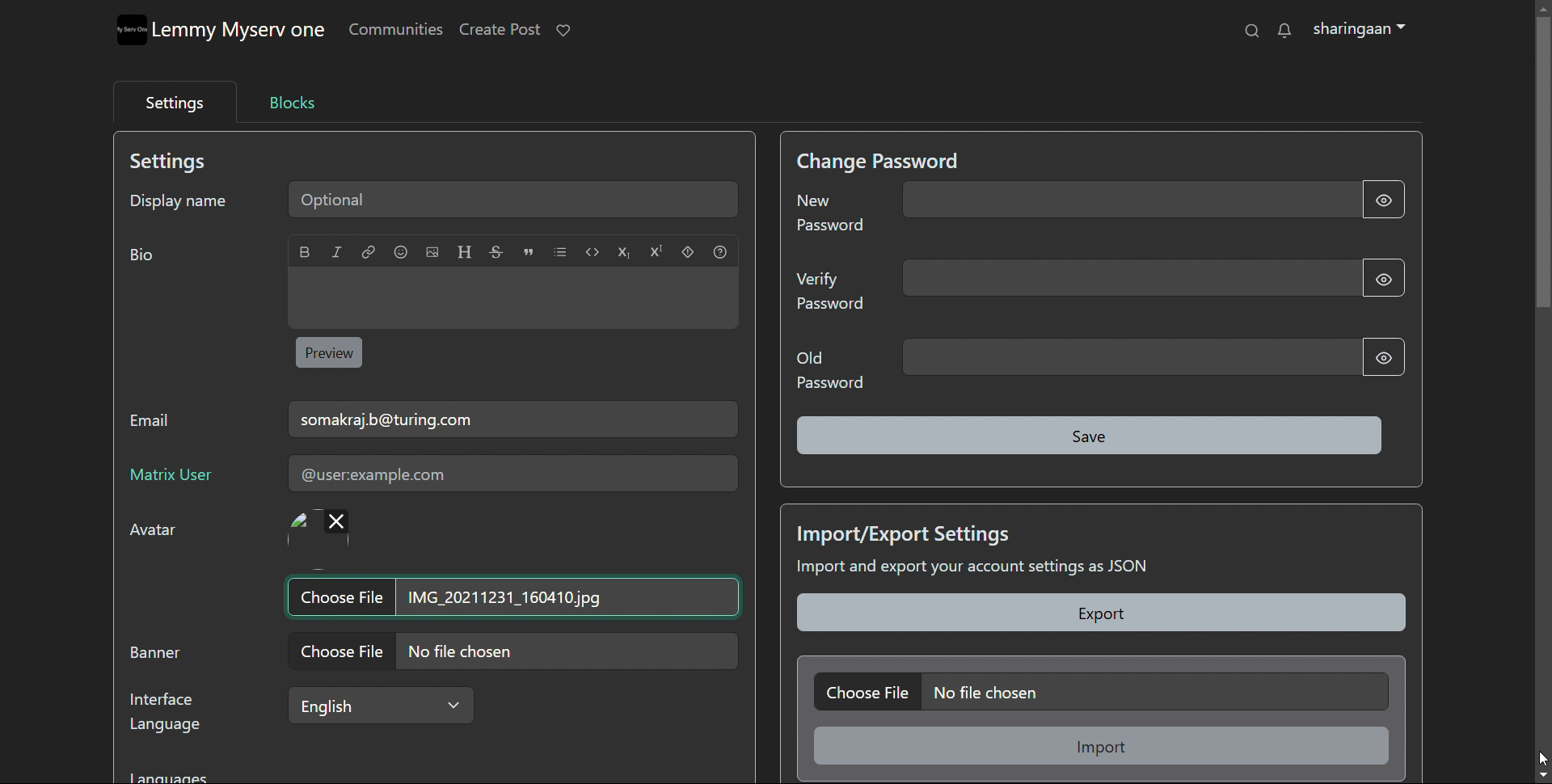 The width and height of the screenshot is (1552, 784). I want to click on code, so click(592, 252).